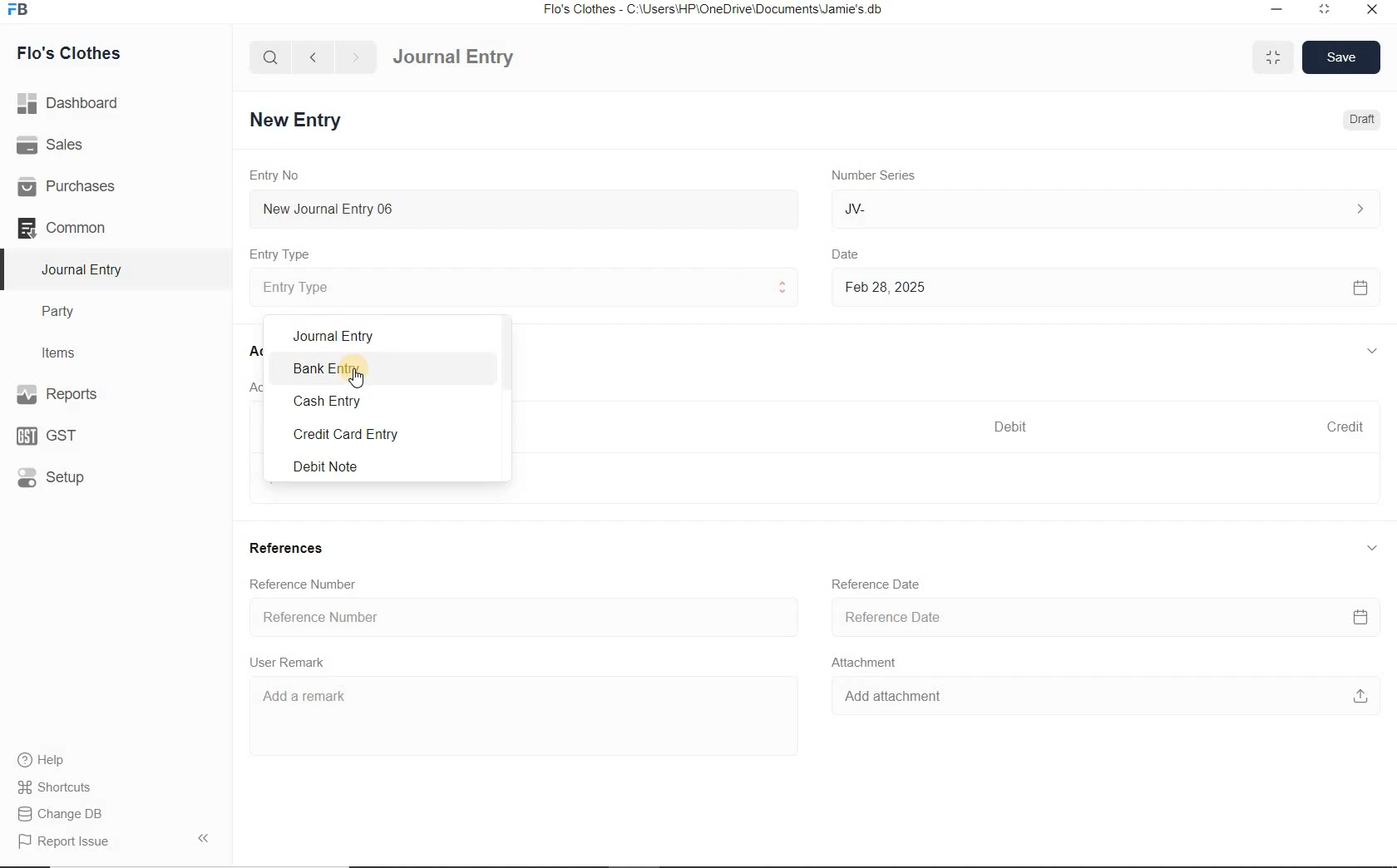 The image size is (1397, 868). Describe the element at coordinates (313, 56) in the screenshot. I see `back` at that location.